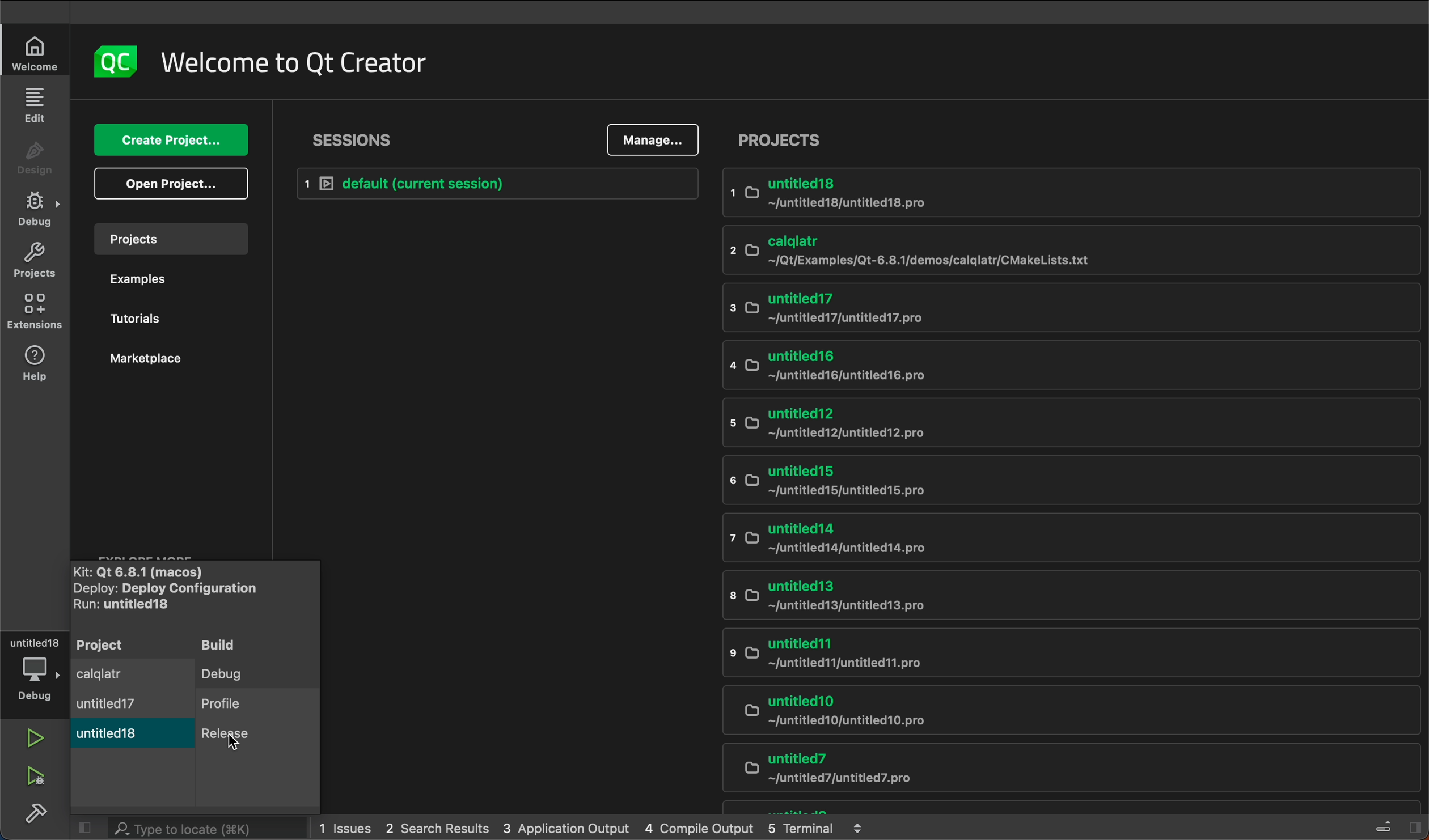  I want to click on help, so click(34, 364).